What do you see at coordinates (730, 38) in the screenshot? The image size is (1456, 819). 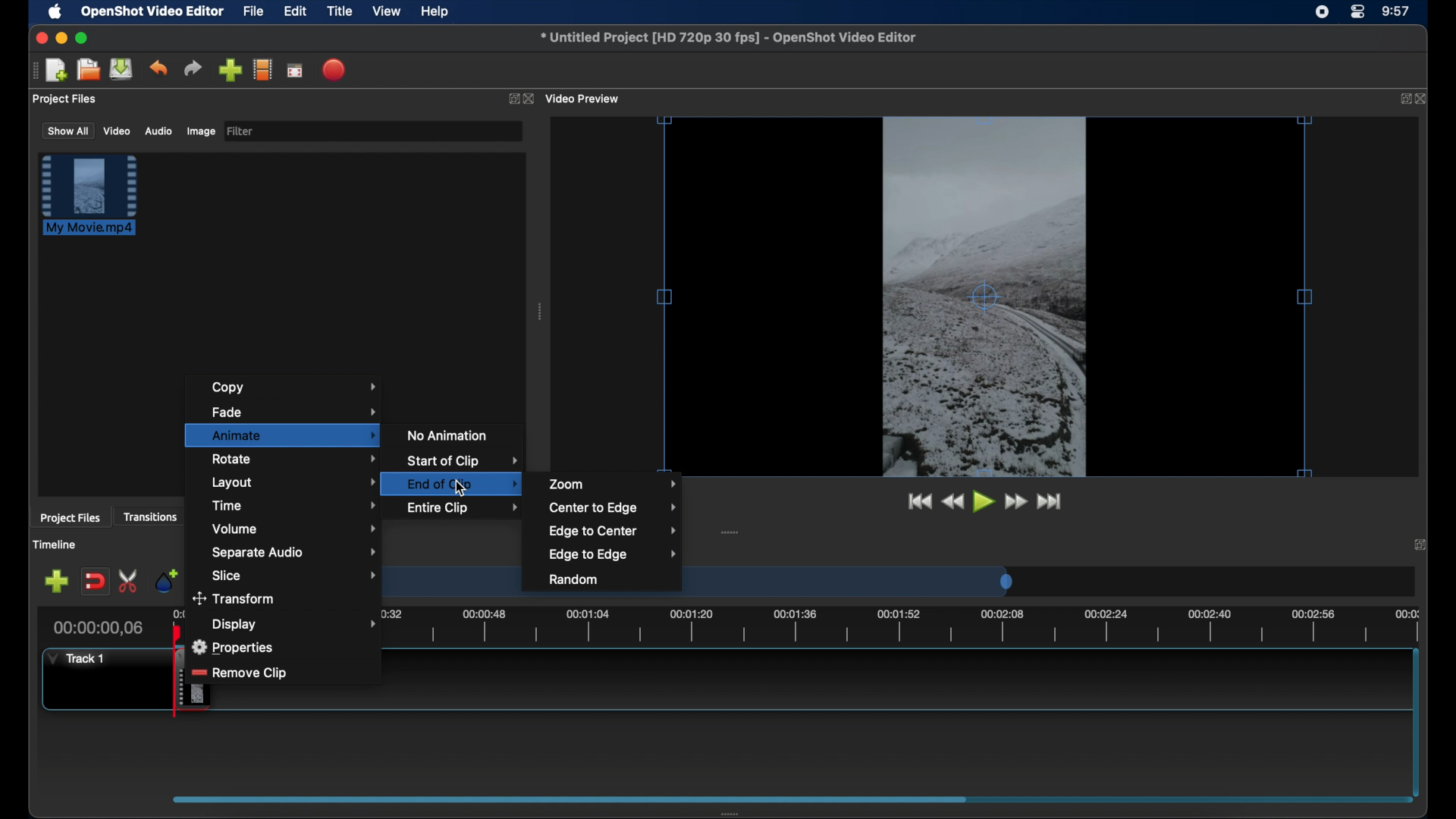 I see `file name` at bounding box center [730, 38].